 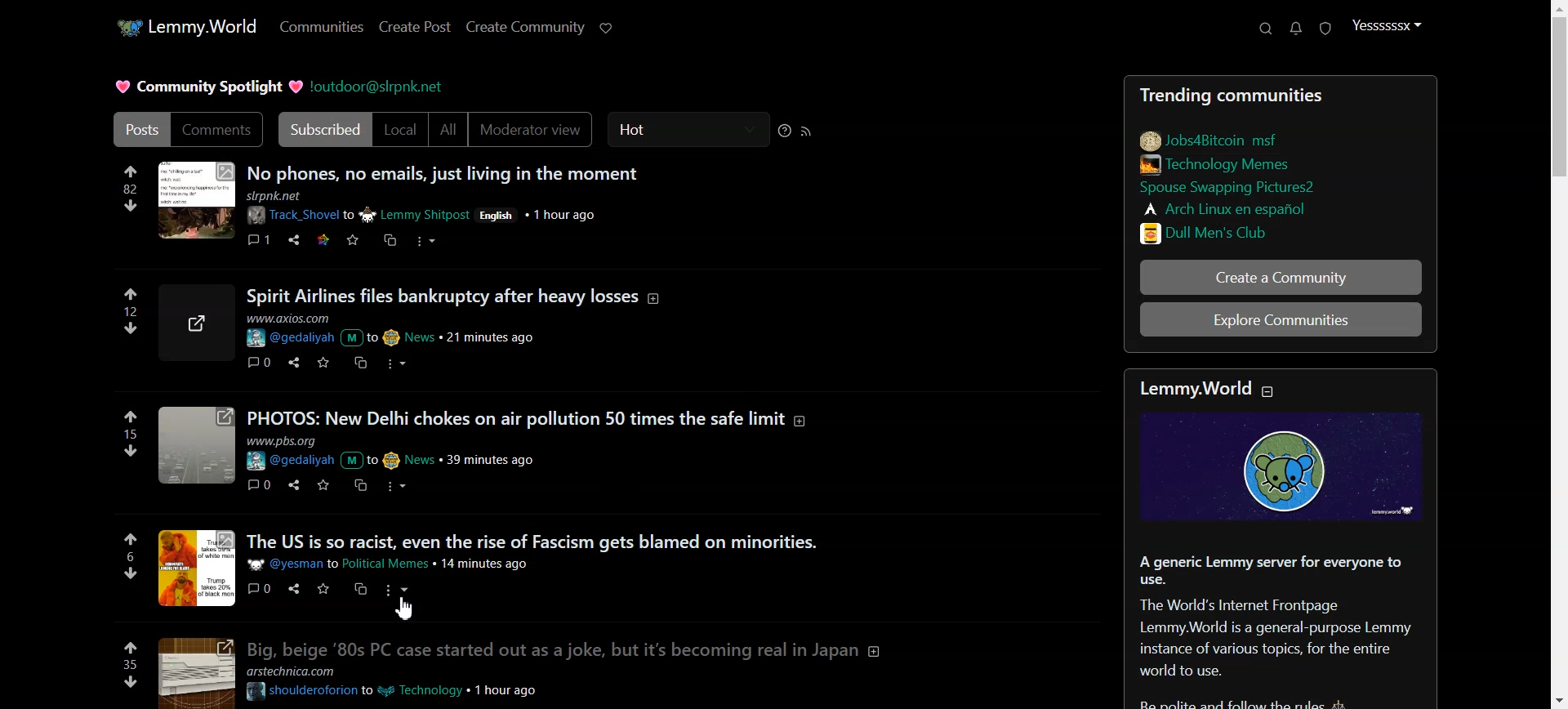 I want to click on upvote, so click(x=131, y=295).